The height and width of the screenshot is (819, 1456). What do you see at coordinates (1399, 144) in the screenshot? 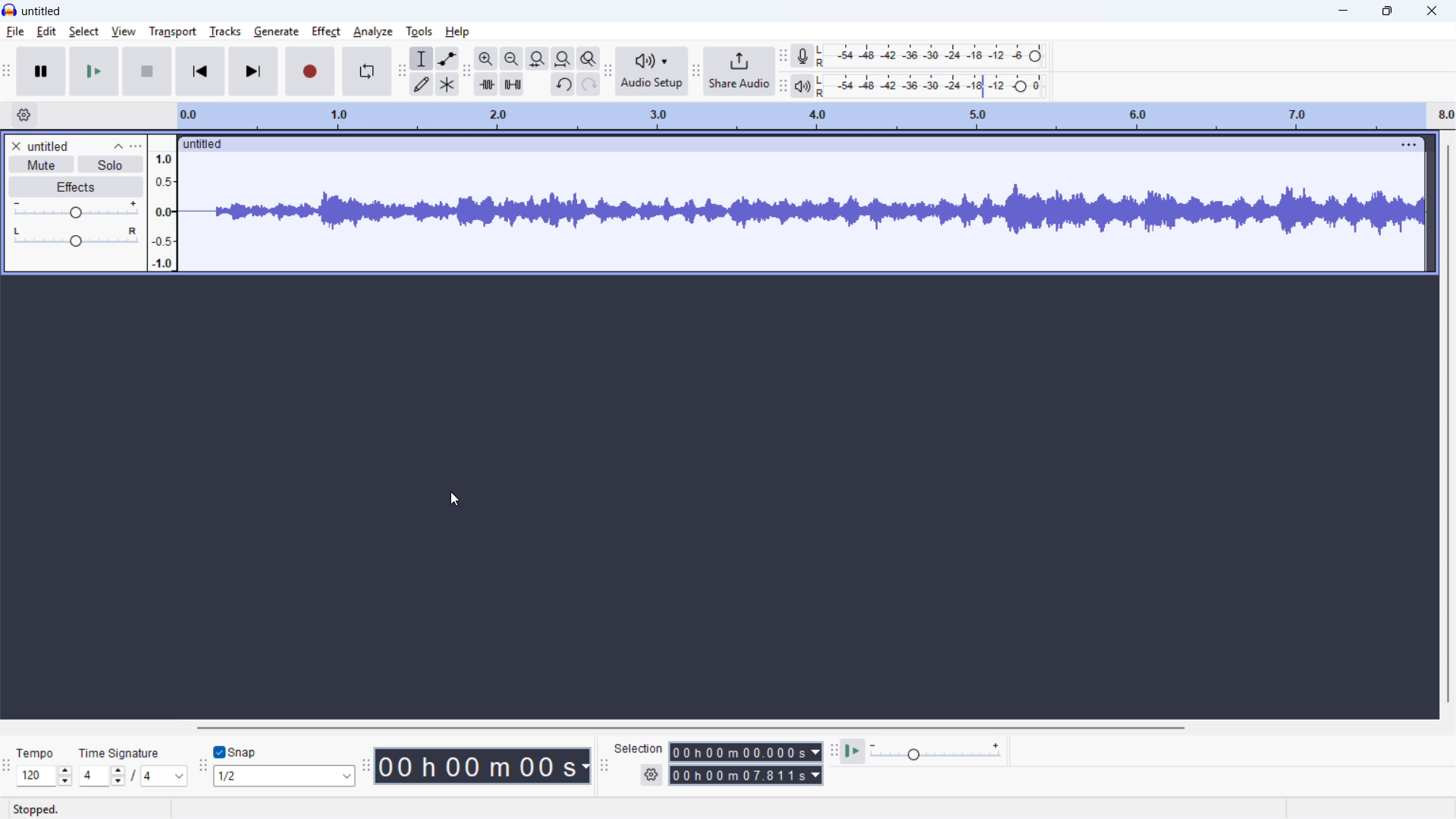
I see `track options` at bounding box center [1399, 144].